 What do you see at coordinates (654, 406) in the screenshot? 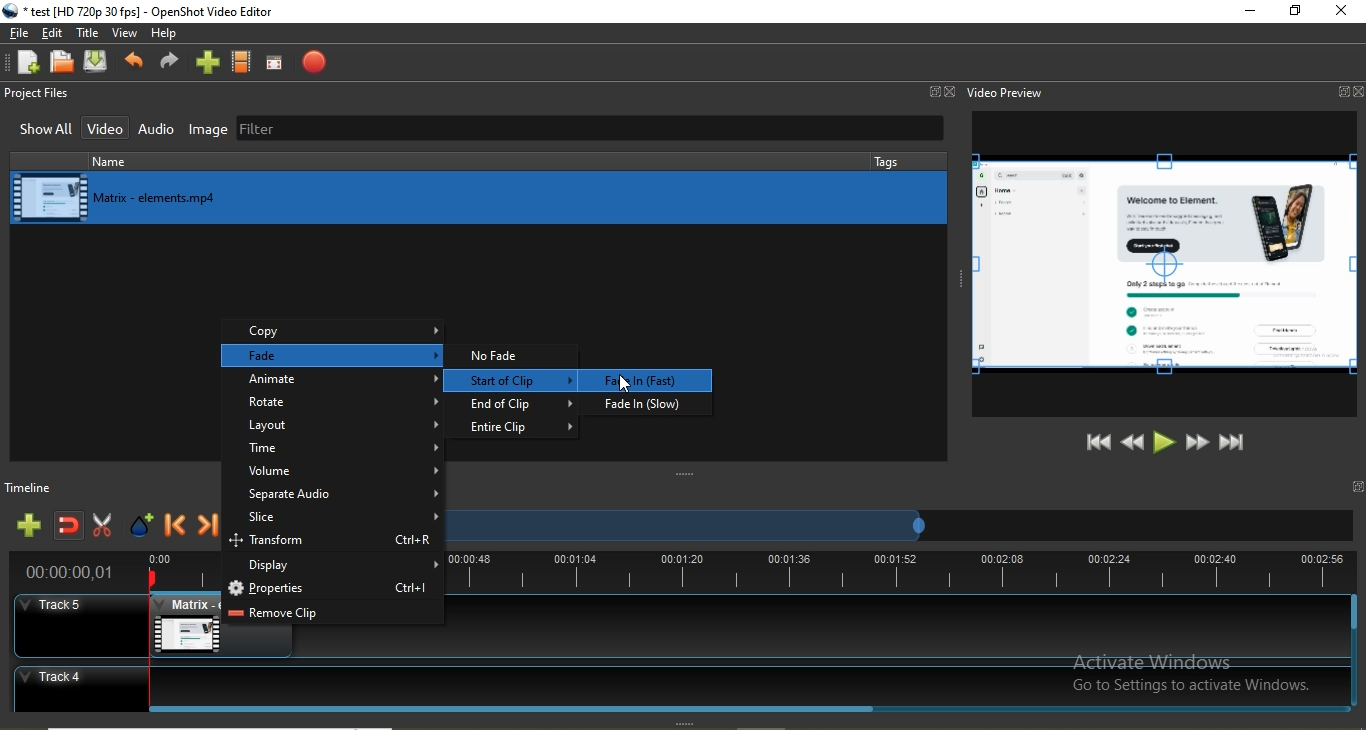
I see `fade in (slow)` at bounding box center [654, 406].